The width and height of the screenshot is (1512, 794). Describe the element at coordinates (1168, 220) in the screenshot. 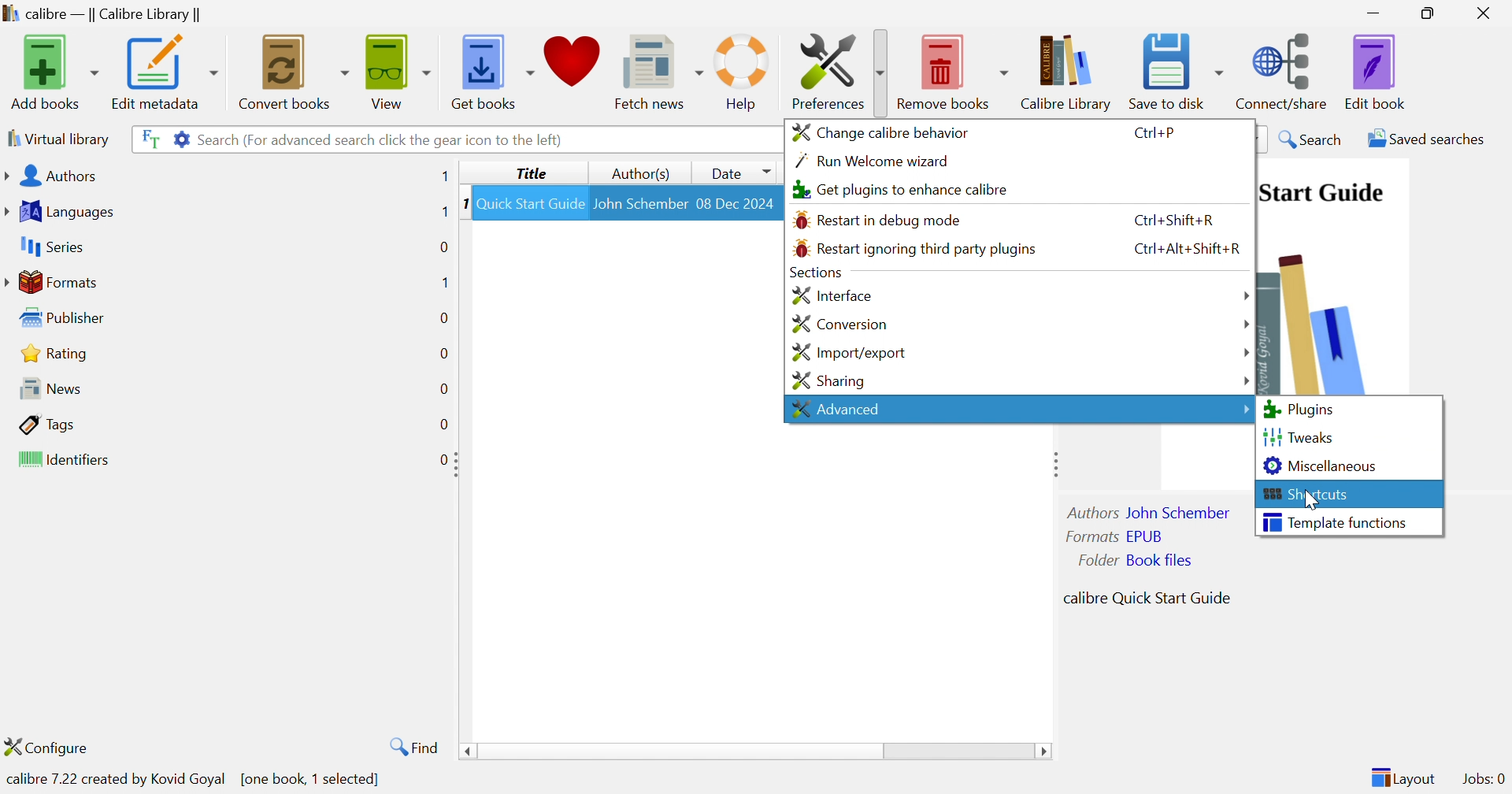

I see `Ctrl+Shift+R` at that location.